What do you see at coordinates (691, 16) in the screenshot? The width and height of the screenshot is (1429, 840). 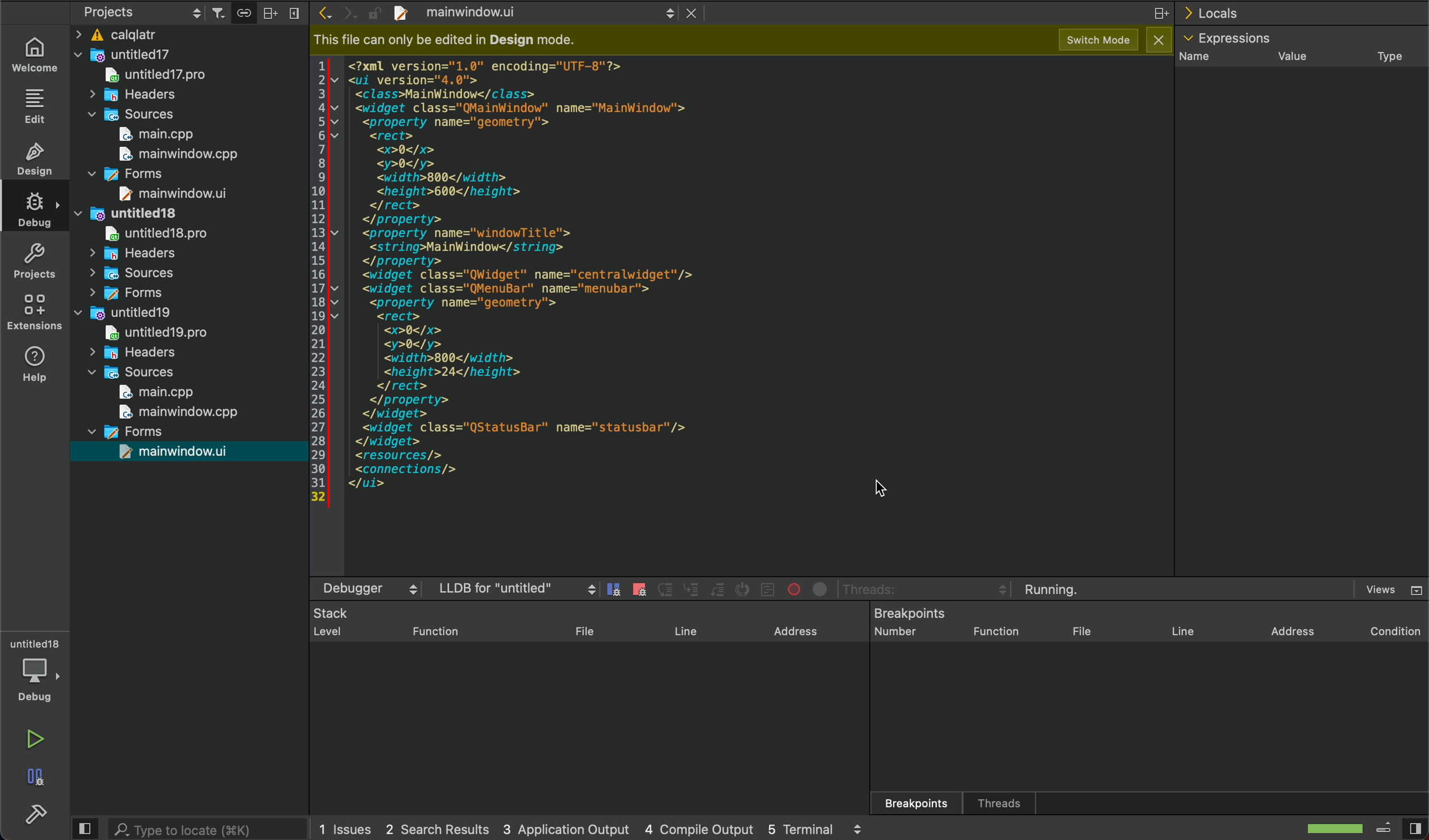 I see `close` at bounding box center [691, 16].